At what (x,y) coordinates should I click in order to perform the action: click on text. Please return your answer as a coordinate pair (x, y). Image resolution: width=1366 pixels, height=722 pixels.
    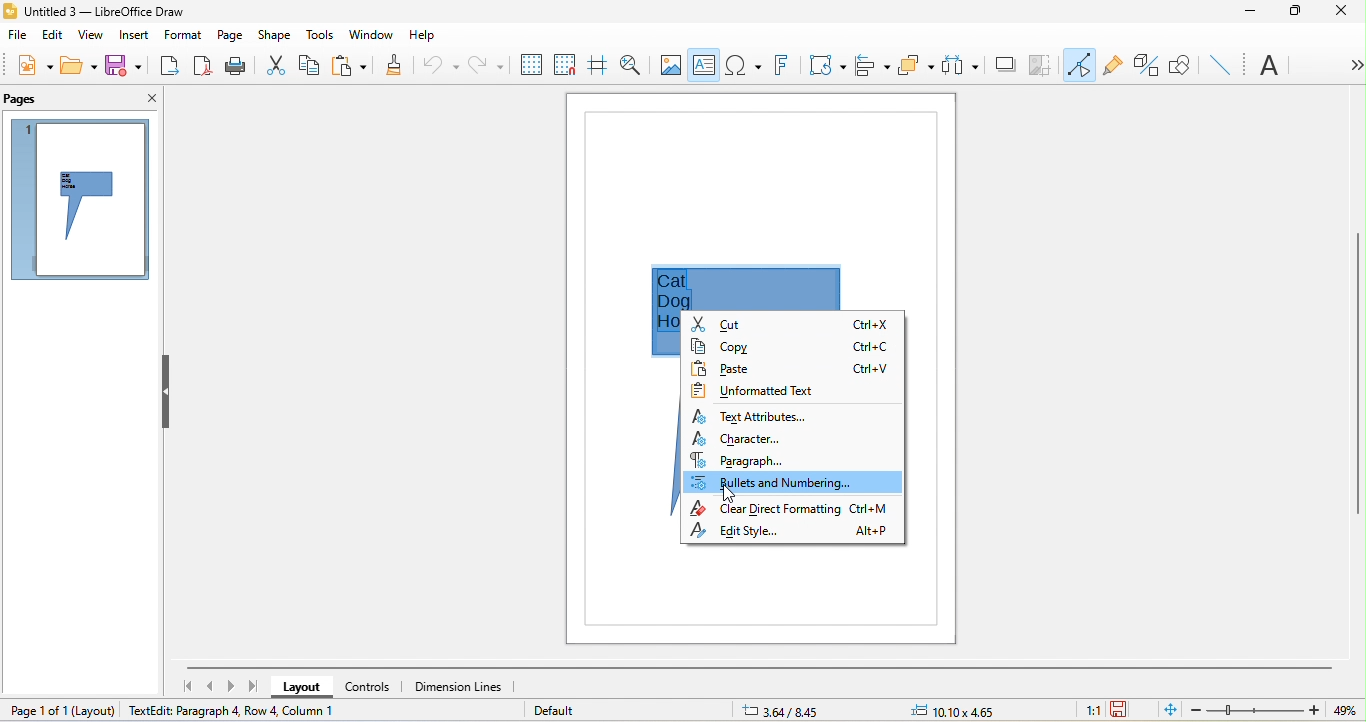
    Looking at the image, I should click on (1272, 67).